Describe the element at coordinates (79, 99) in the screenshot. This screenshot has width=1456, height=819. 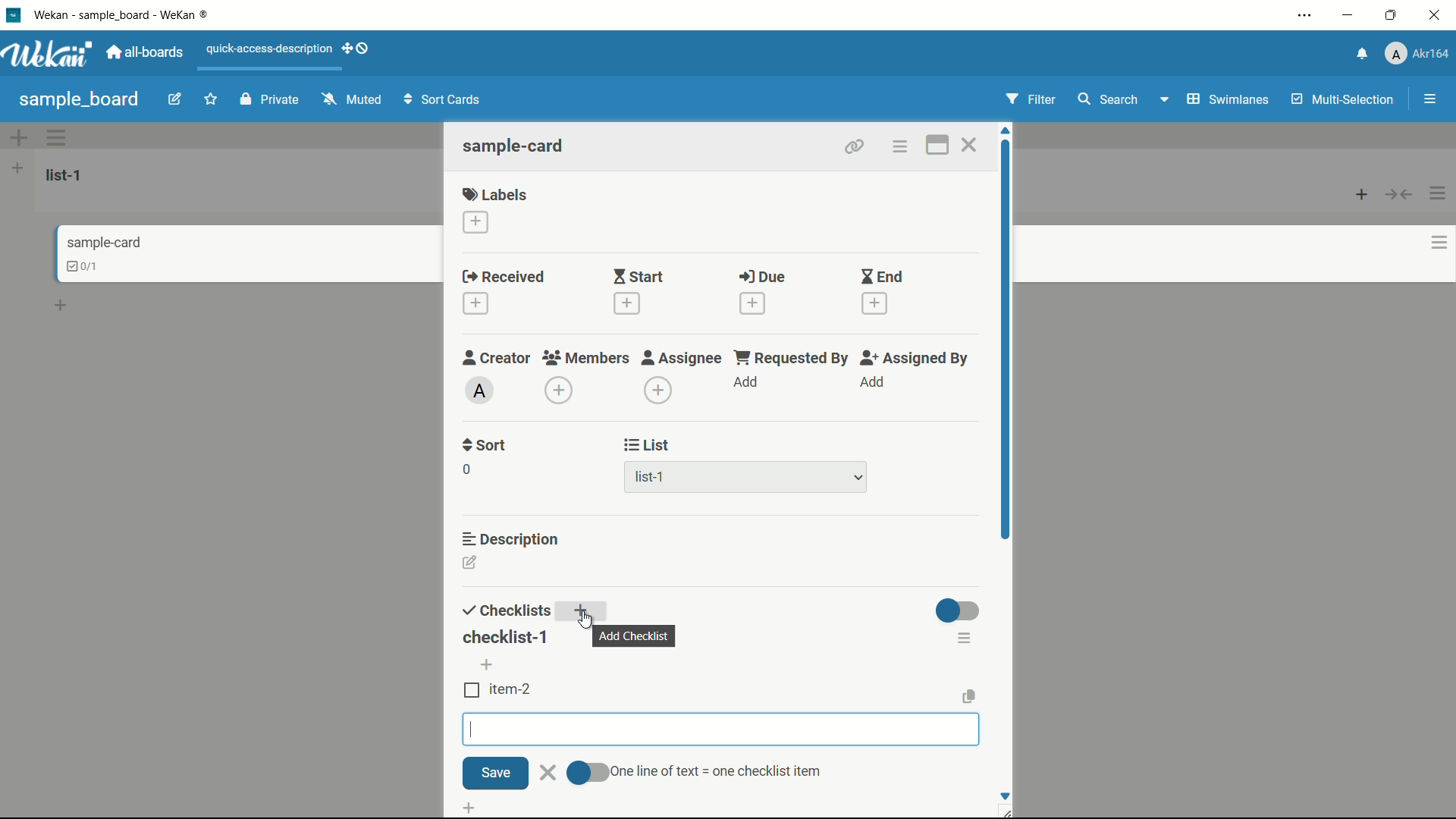
I see `board name` at that location.